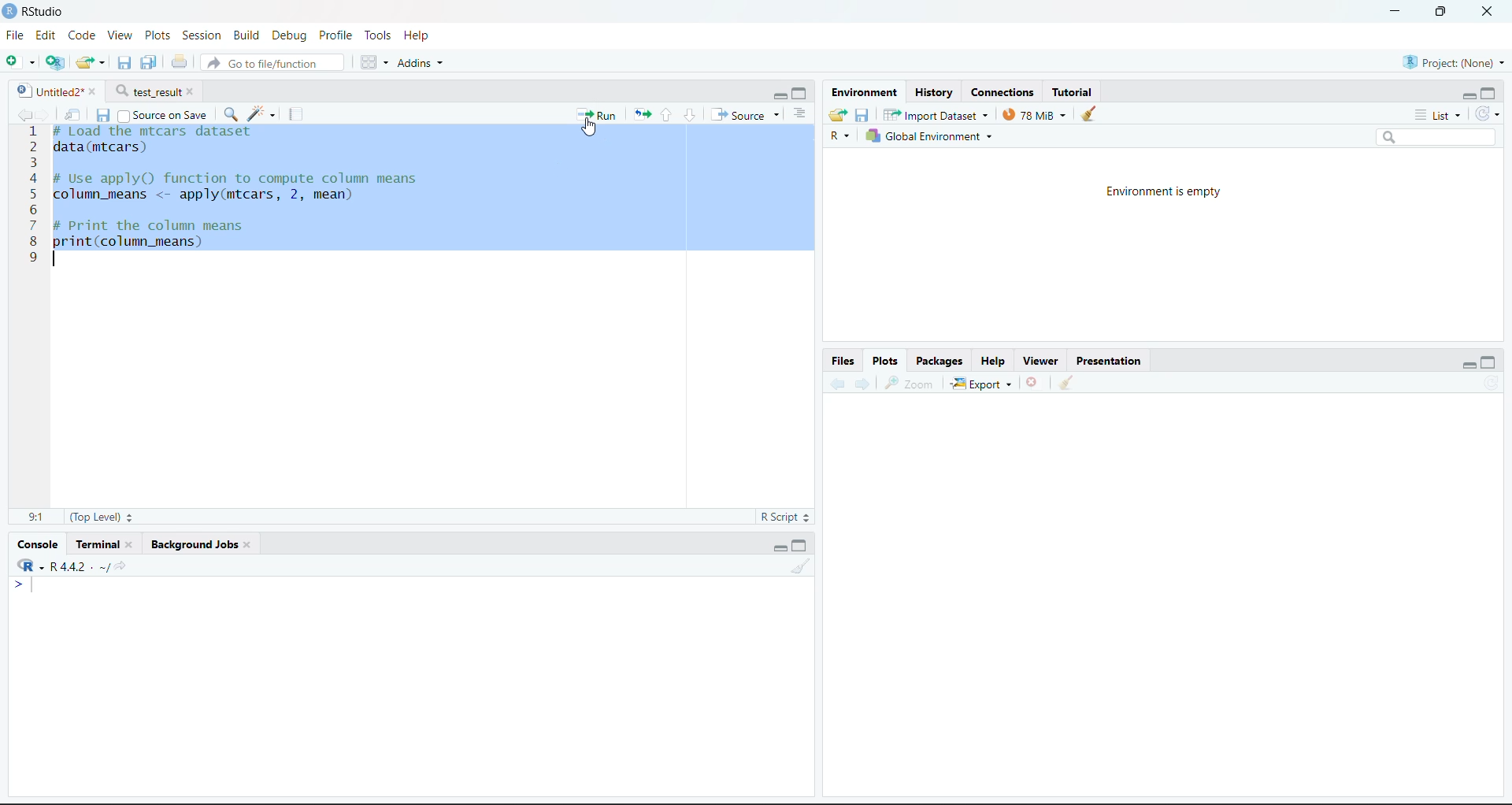 The height and width of the screenshot is (805, 1512). What do you see at coordinates (777, 95) in the screenshot?
I see `Minimize` at bounding box center [777, 95].